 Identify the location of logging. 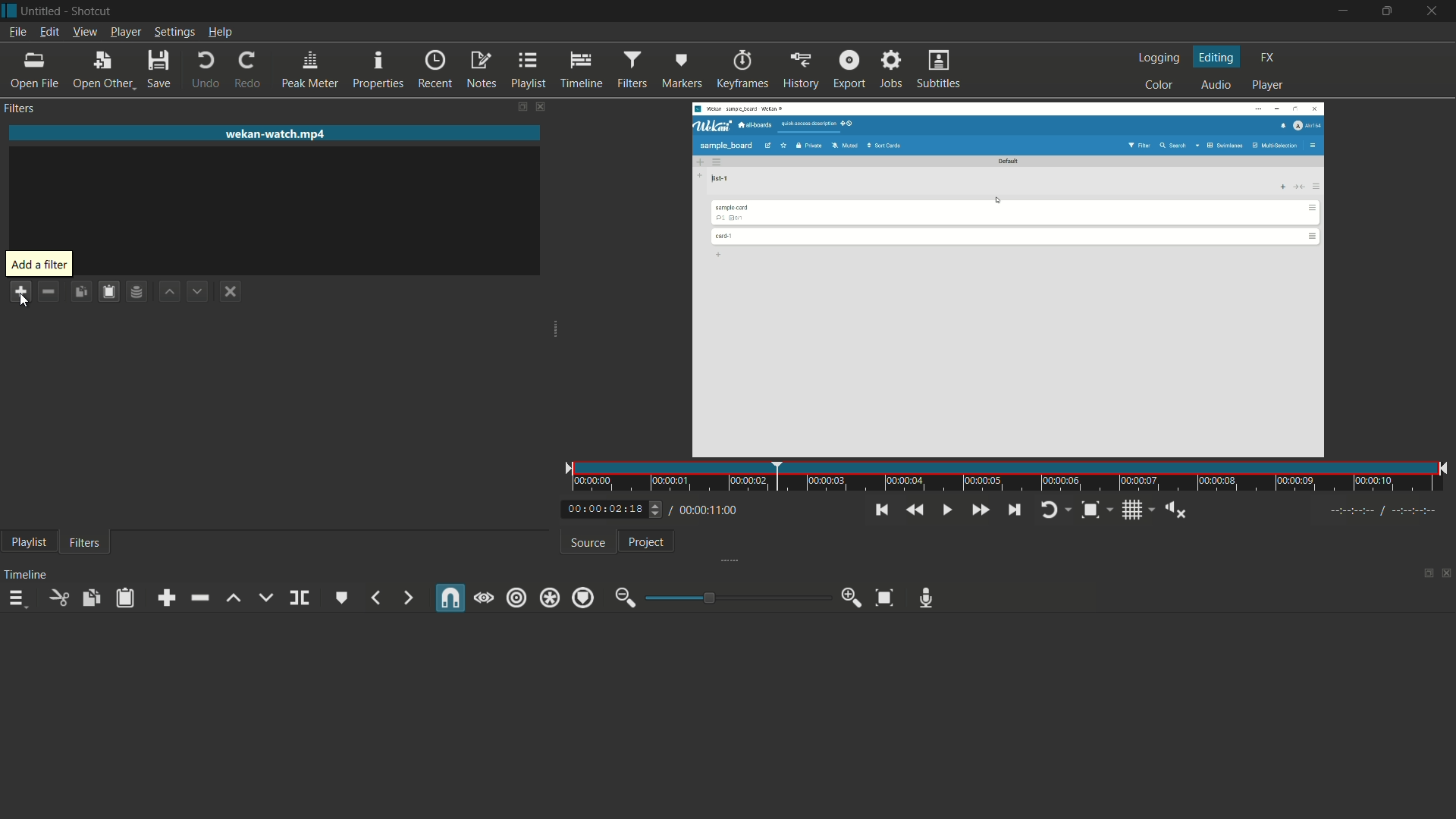
(1162, 58).